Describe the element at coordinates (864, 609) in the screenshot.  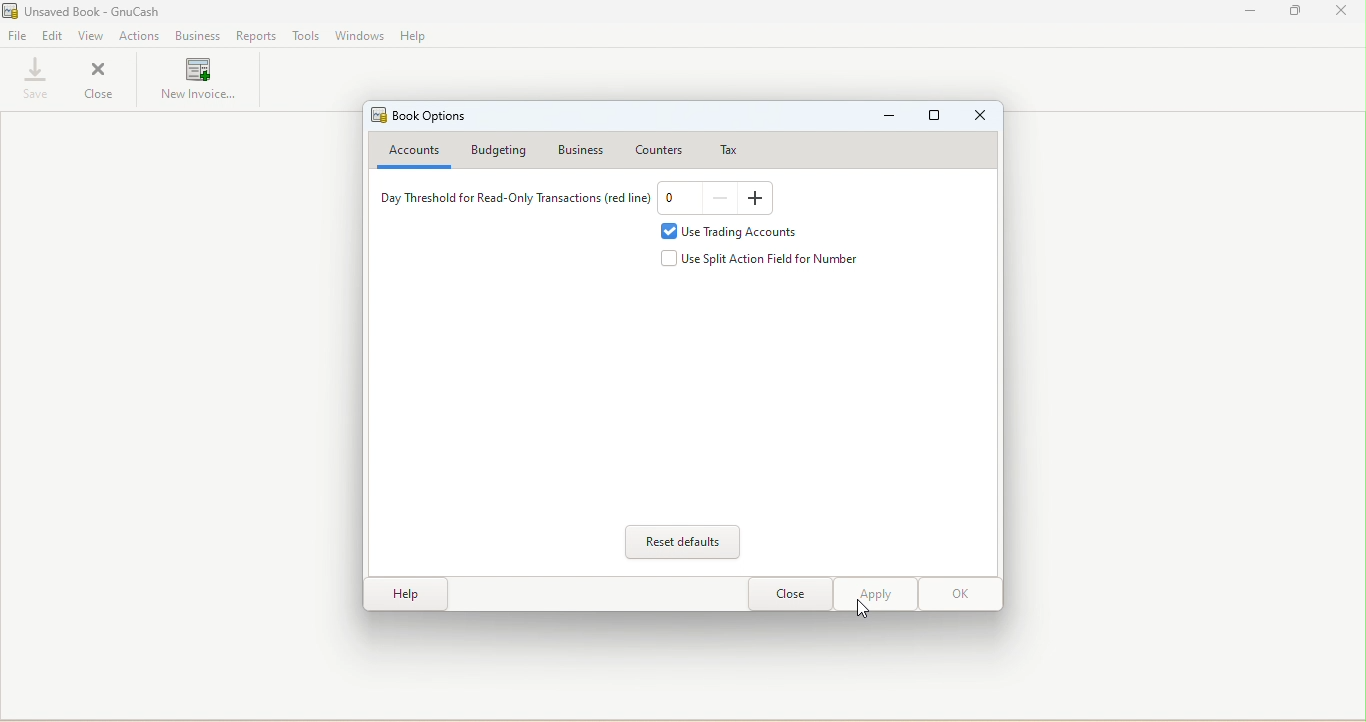
I see `cursor` at that location.